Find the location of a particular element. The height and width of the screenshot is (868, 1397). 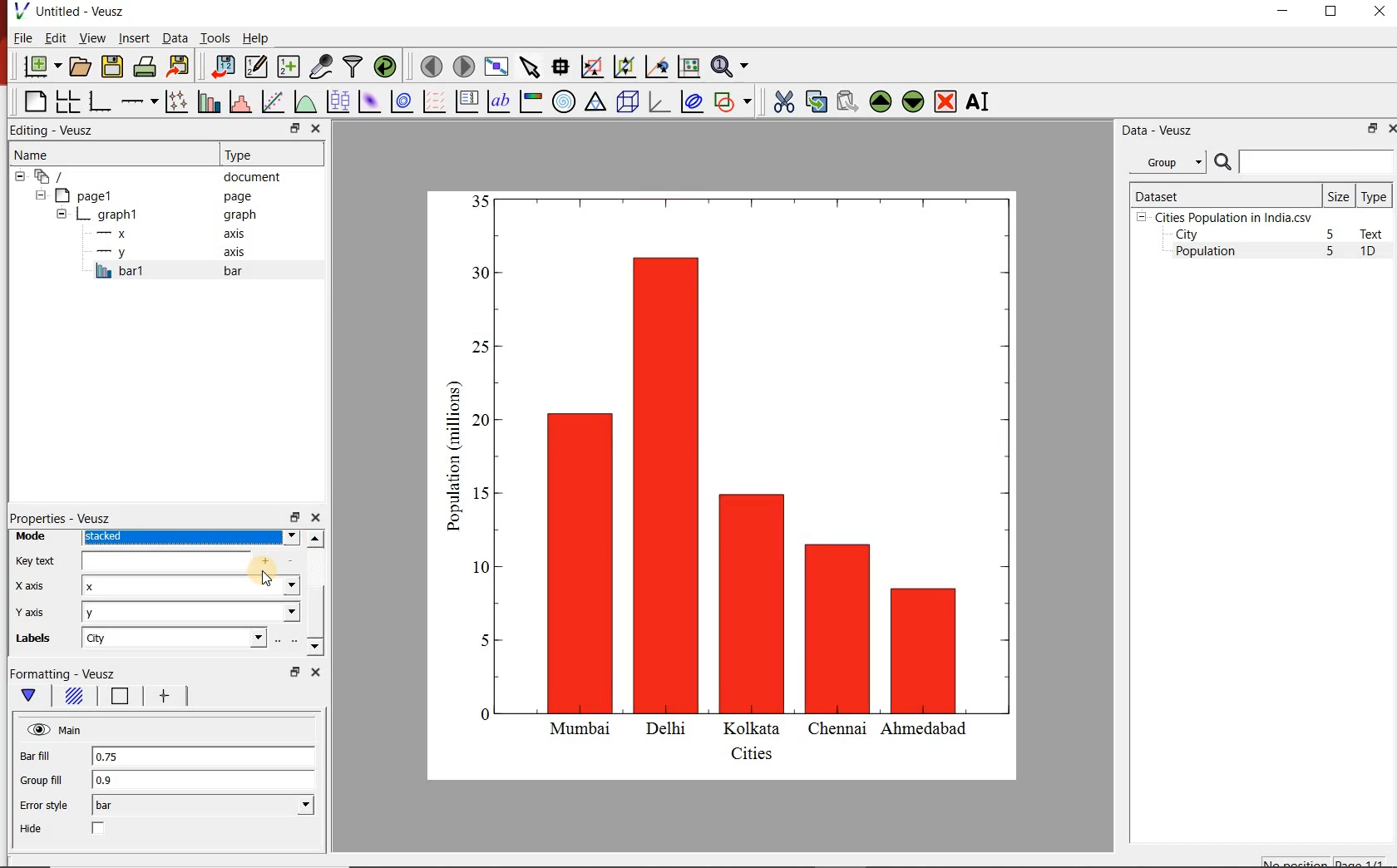

bar1 is located at coordinates (186, 271).